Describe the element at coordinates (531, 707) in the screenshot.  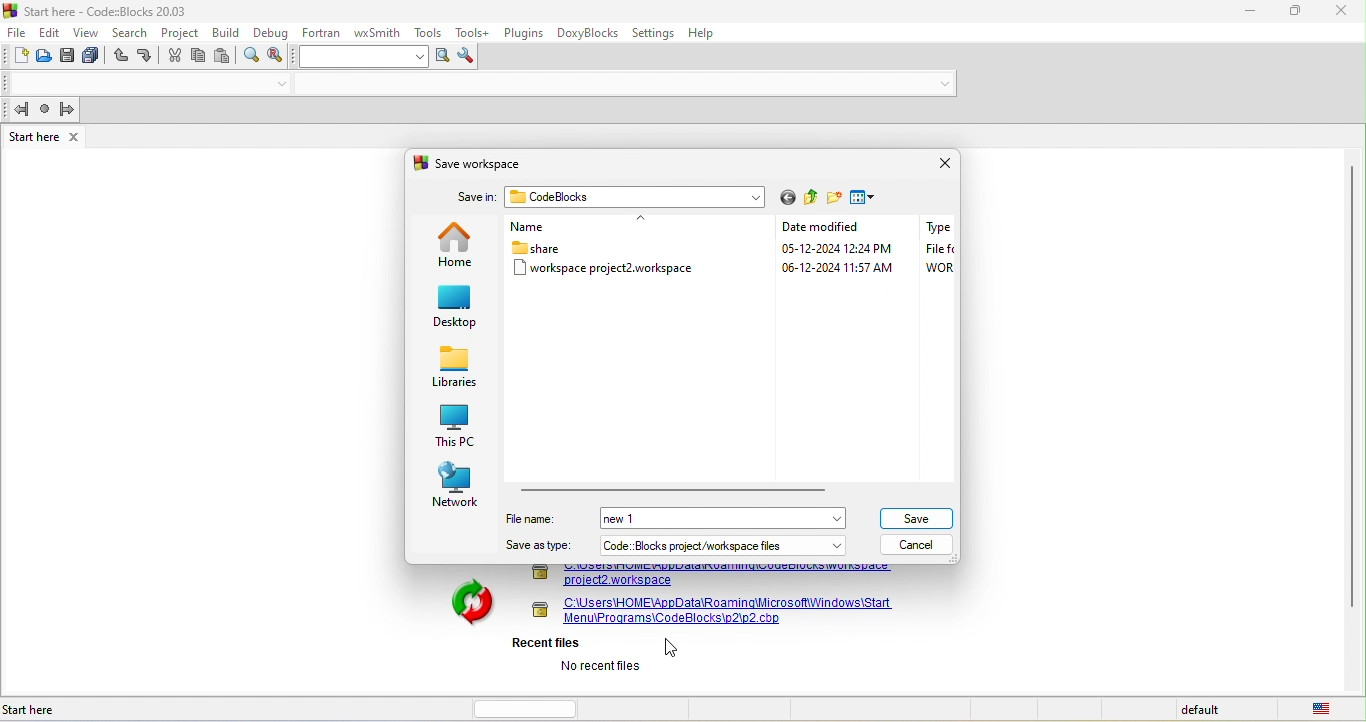
I see `horizontal scroll bar` at that location.